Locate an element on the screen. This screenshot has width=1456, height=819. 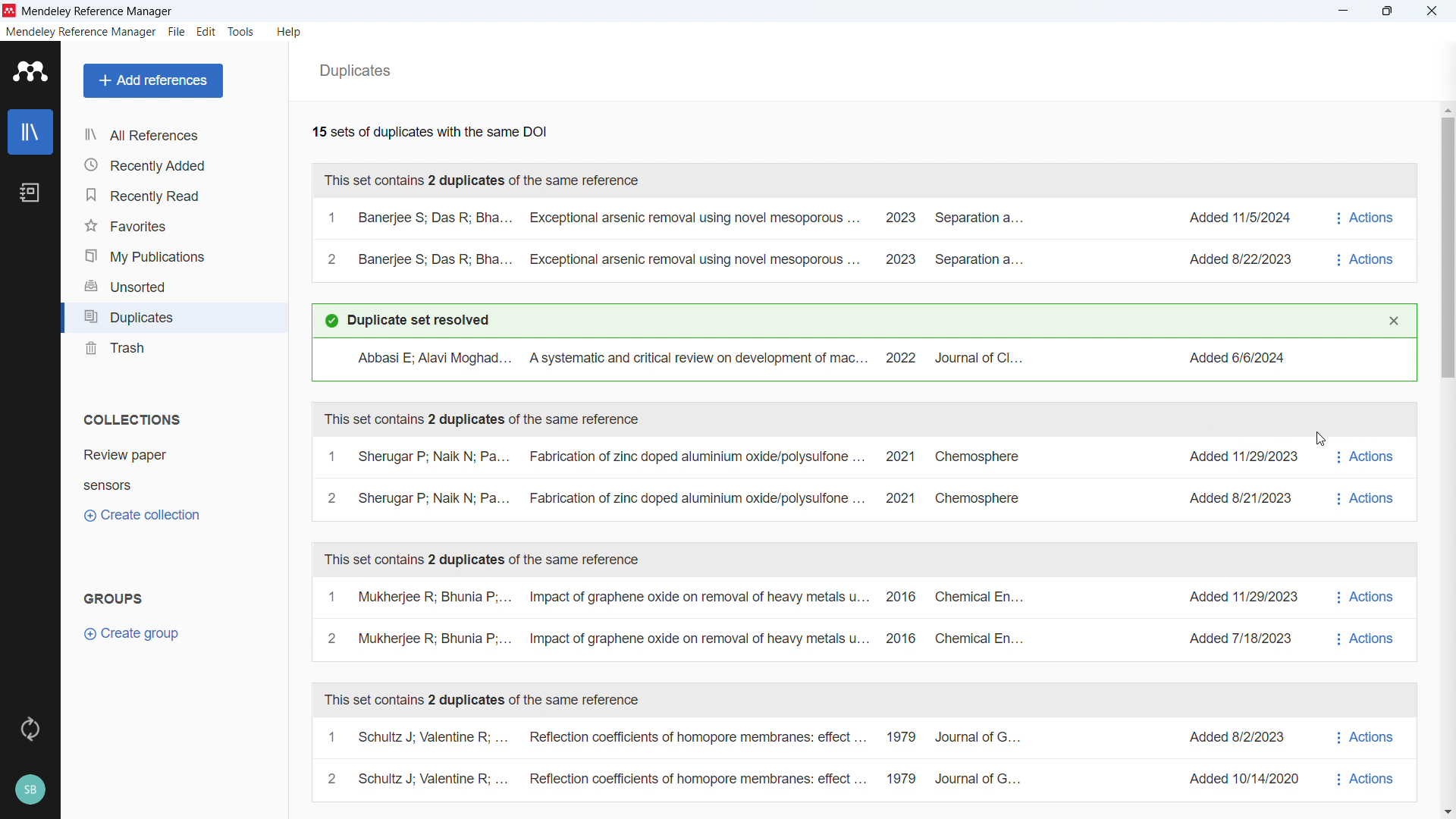
Maximise  is located at coordinates (1386, 11).